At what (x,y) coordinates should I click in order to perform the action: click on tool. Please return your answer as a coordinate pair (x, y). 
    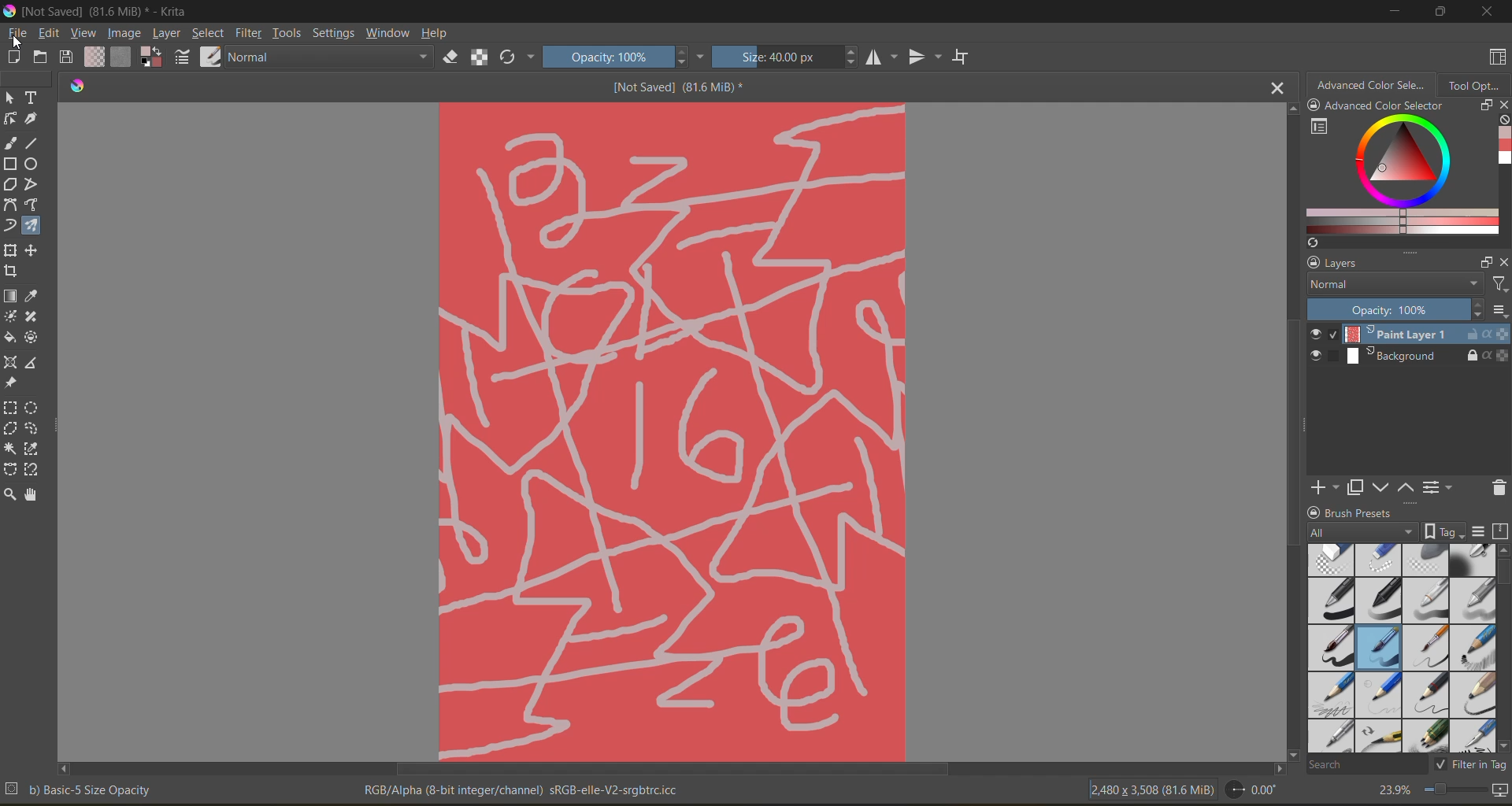
    Looking at the image, I should click on (9, 250).